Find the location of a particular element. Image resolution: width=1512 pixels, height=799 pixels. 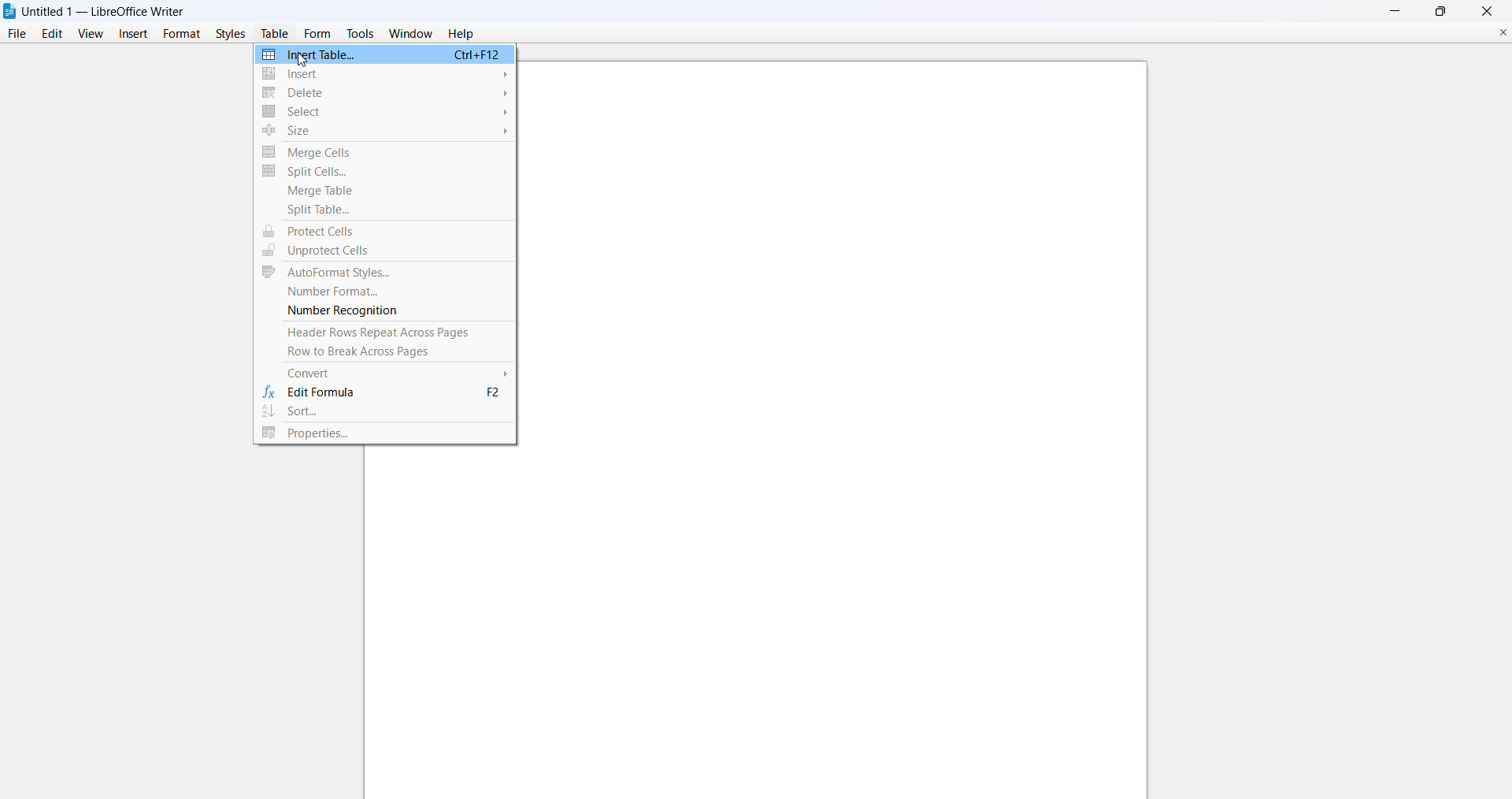

libreofficewriter logo is located at coordinates (9, 11).